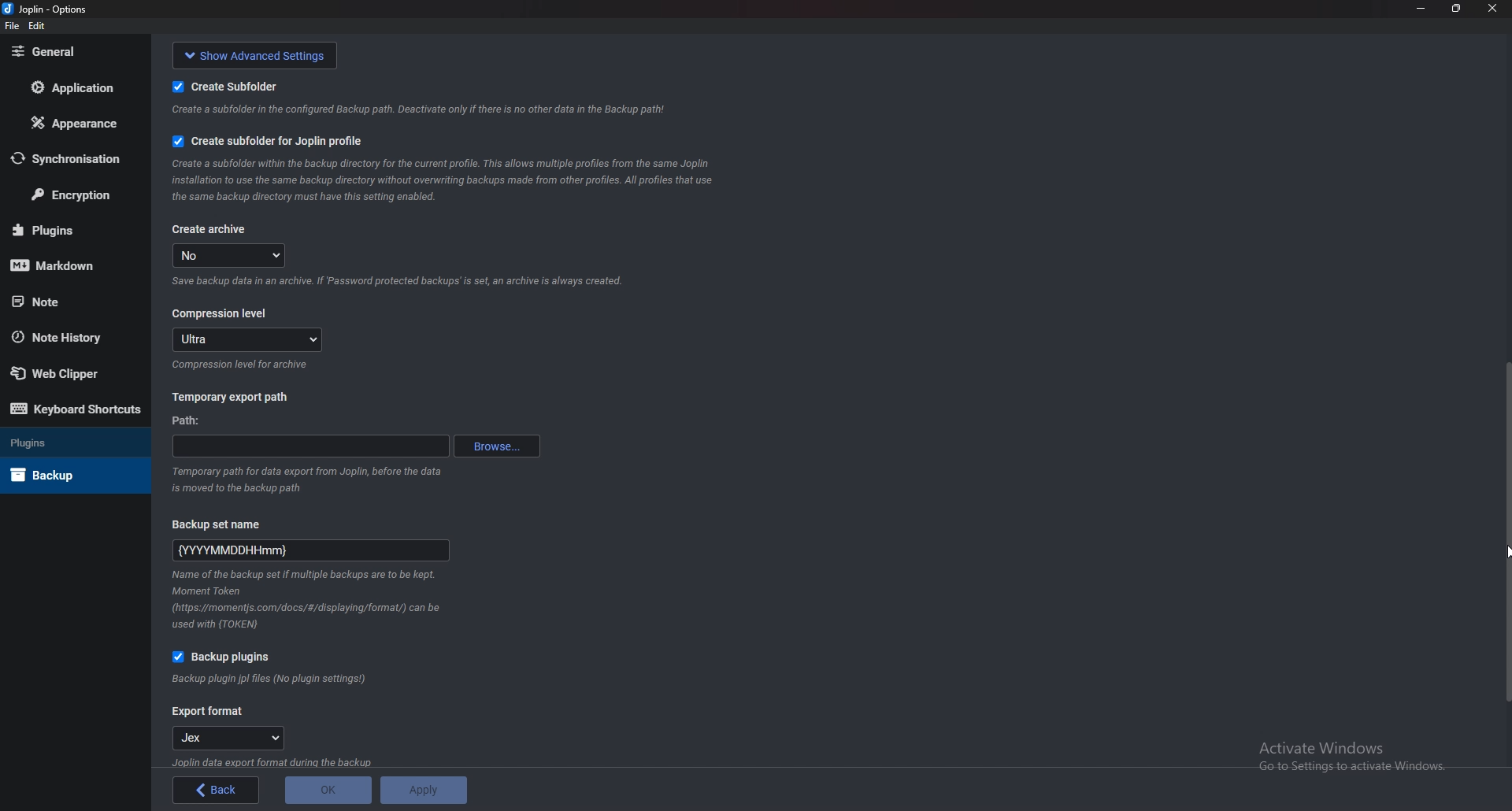  What do you see at coordinates (310, 446) in the screenshot?
I see `path` at bounding box center [310, 446].